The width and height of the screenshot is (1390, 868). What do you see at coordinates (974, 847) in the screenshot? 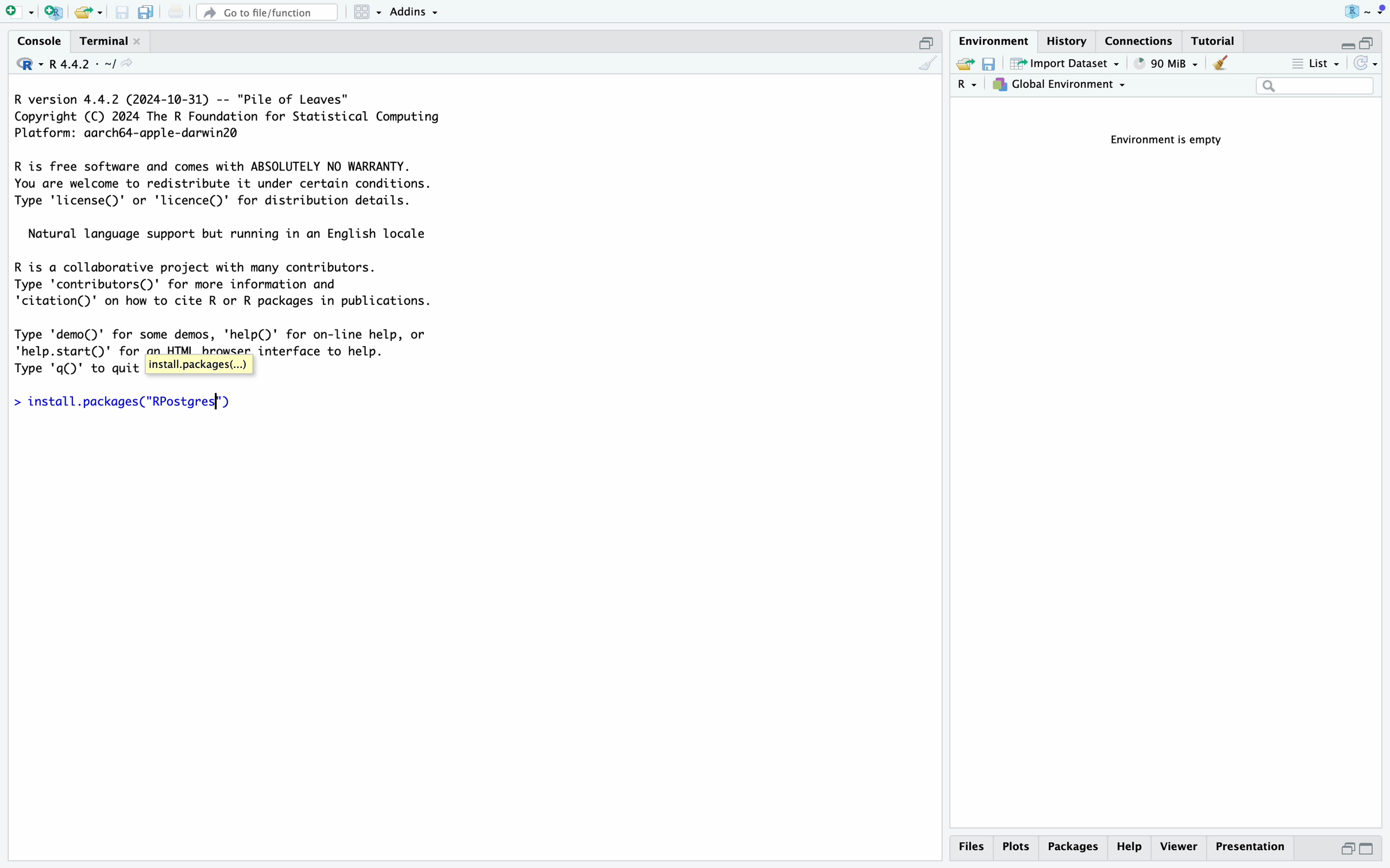
I see `files` at bounding box center [974, 847].